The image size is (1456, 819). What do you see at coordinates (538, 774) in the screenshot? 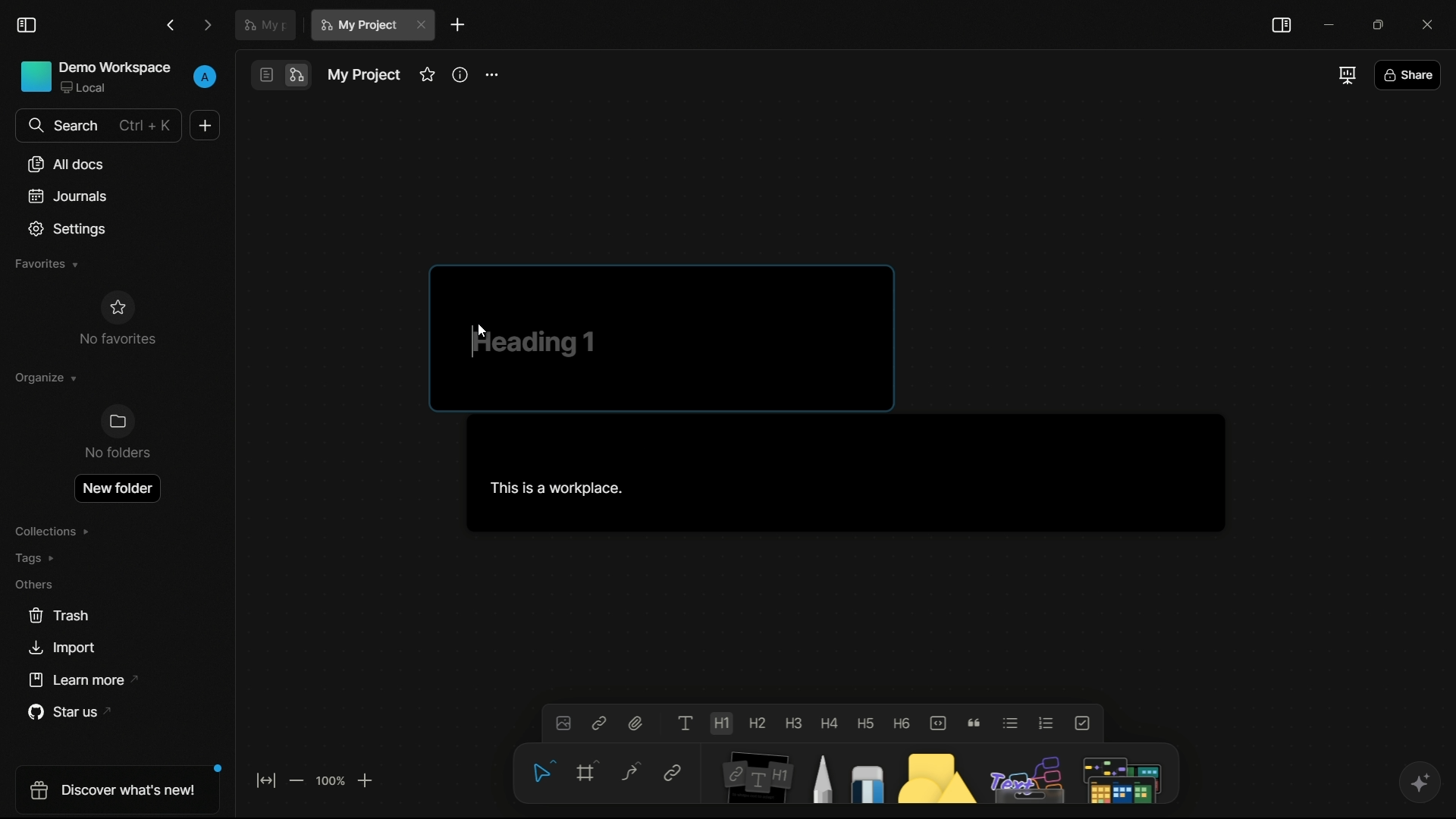
I see `select` at bounding box center [538, 774].